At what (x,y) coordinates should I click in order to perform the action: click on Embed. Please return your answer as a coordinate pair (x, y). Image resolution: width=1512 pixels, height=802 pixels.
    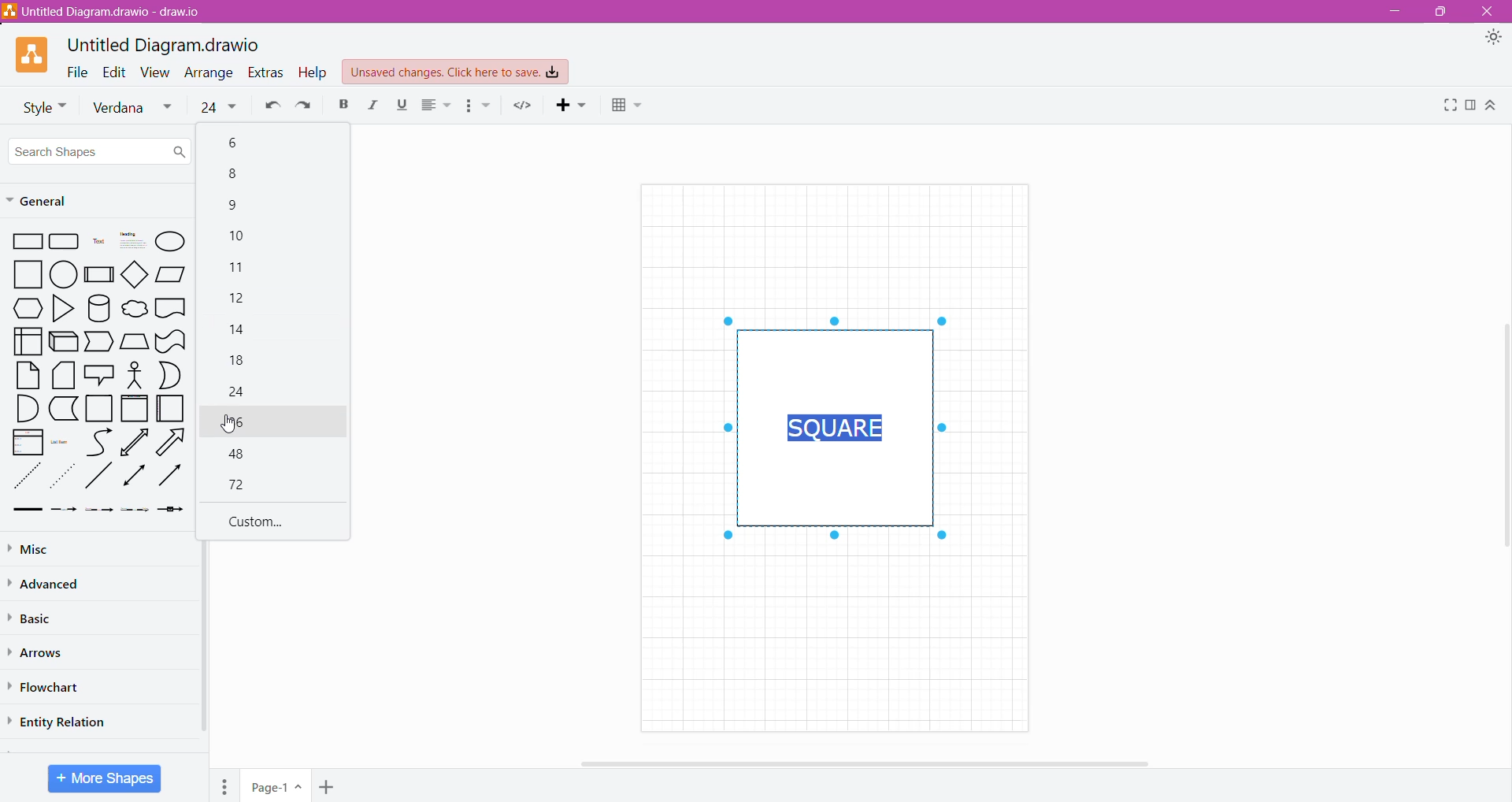
    Looking at the image, I should click on (524, 106).